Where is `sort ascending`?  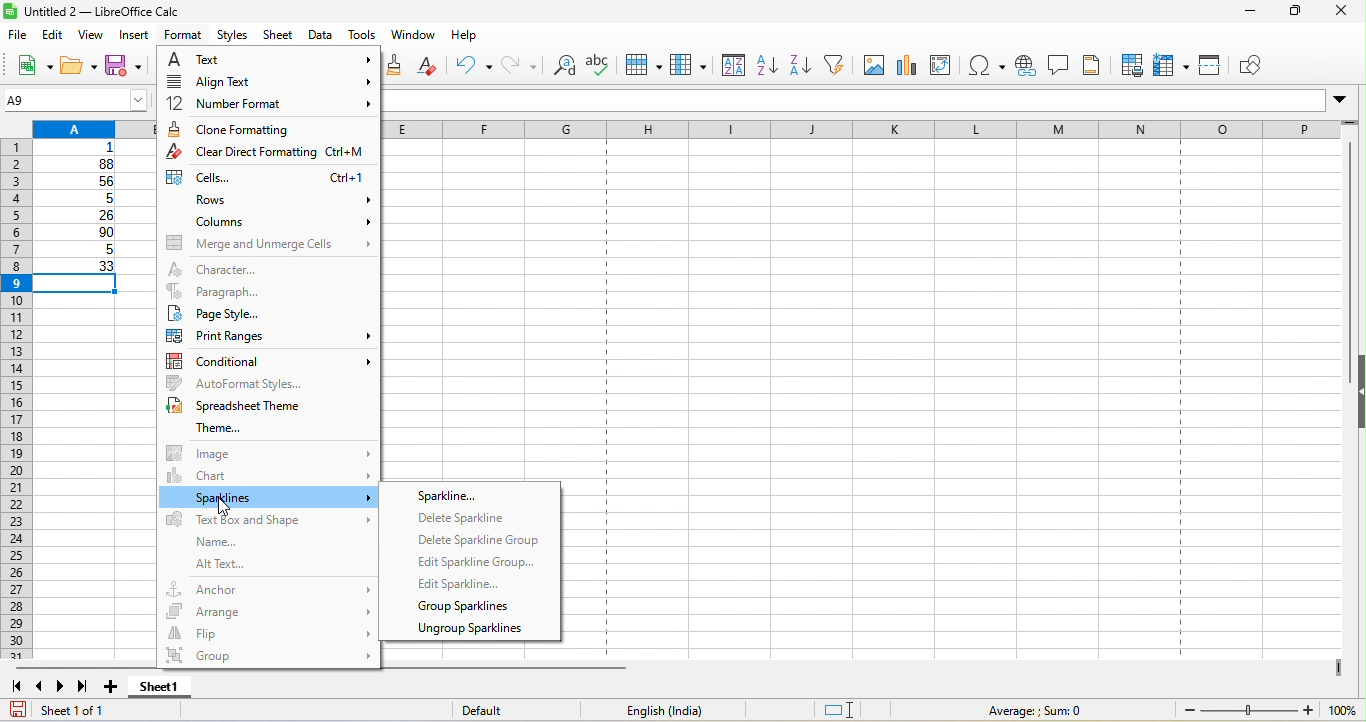 sort ascending is located at coordinates (768, 67).